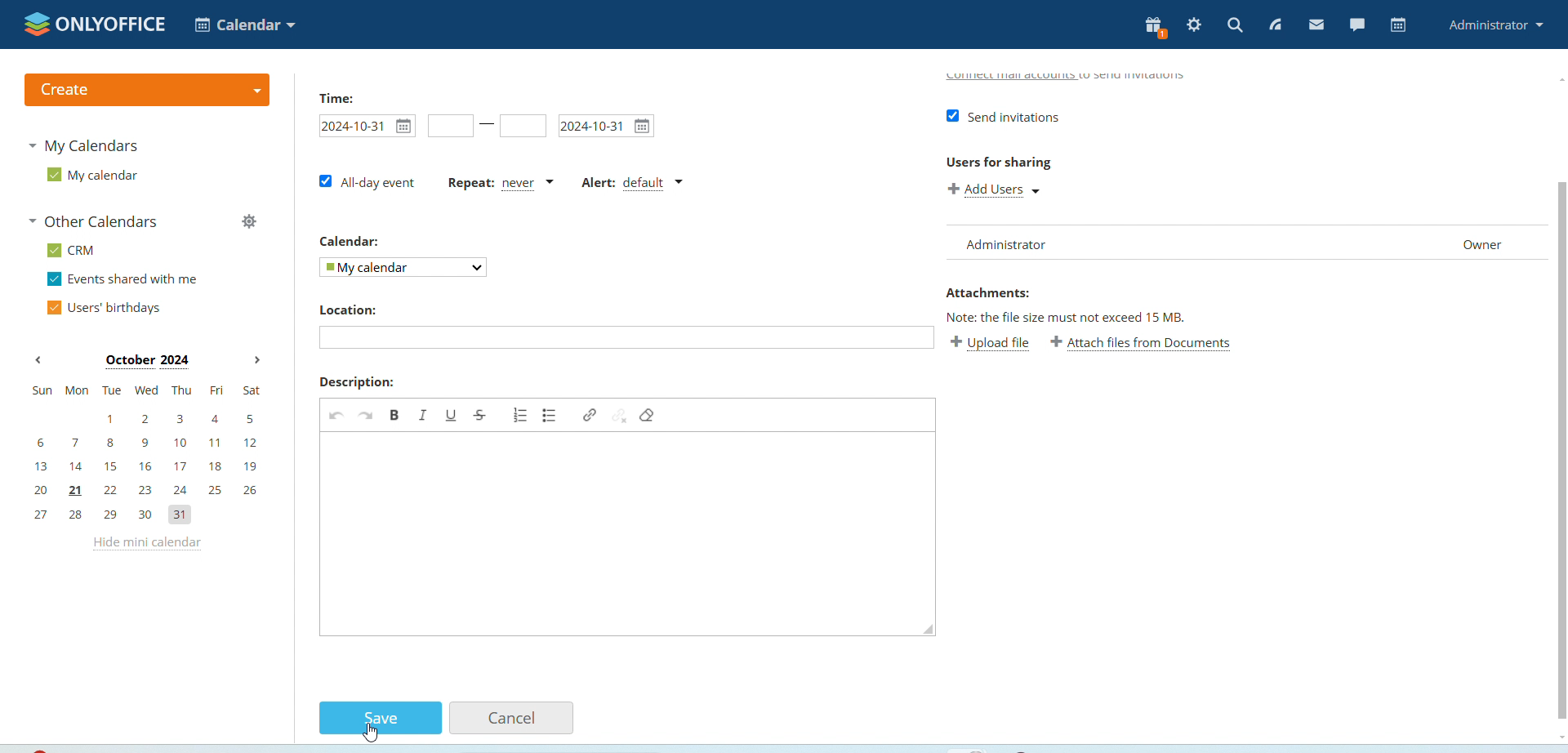 Image resolution: width=1568 pixels, height=753 pixels. What do you see at coordinates (367, 182) in the screenshot?
I see `All day event check box ` at bounding box center [367, 182].